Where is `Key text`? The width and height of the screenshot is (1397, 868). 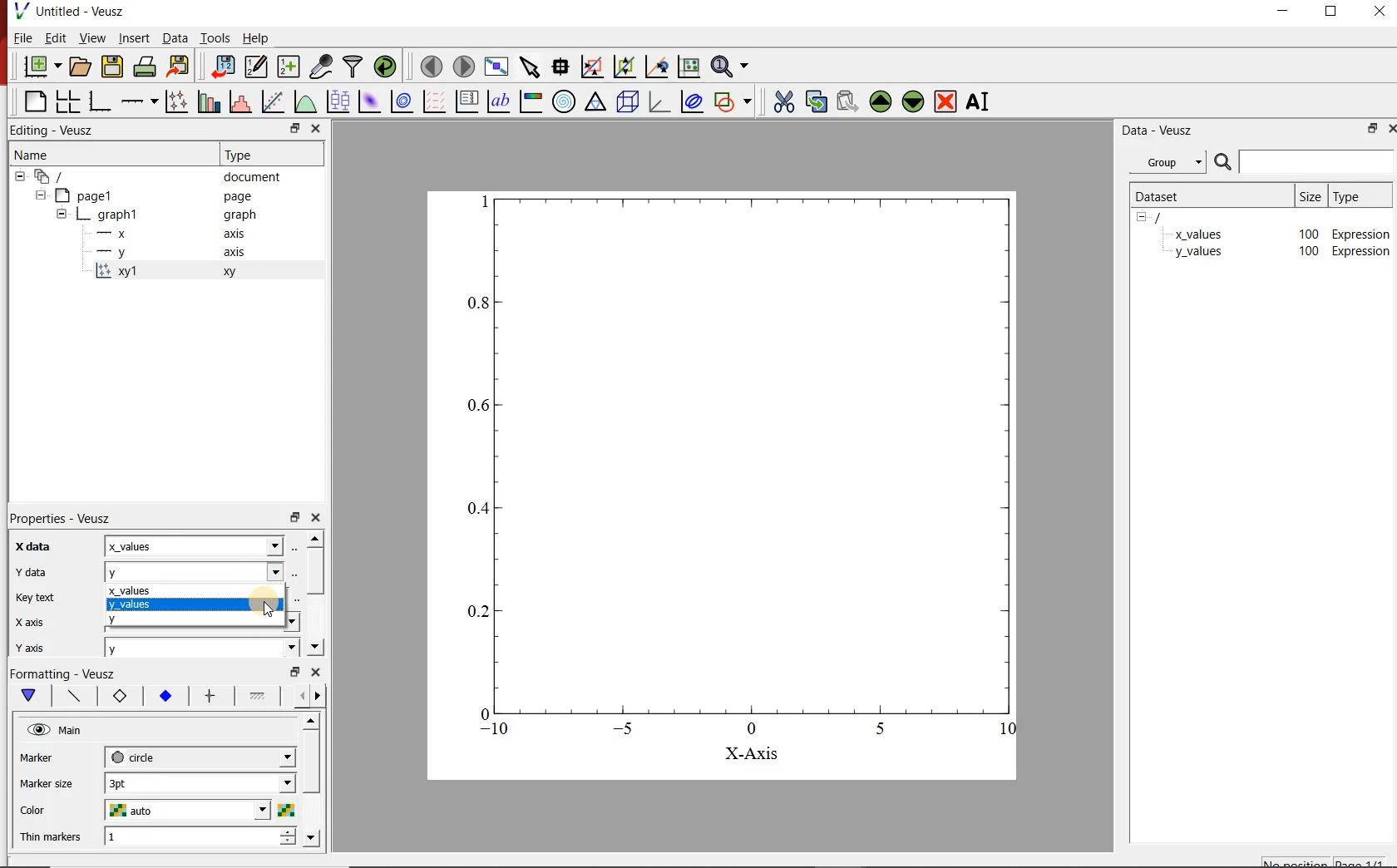
Key text is located at coordinates (37, 597).